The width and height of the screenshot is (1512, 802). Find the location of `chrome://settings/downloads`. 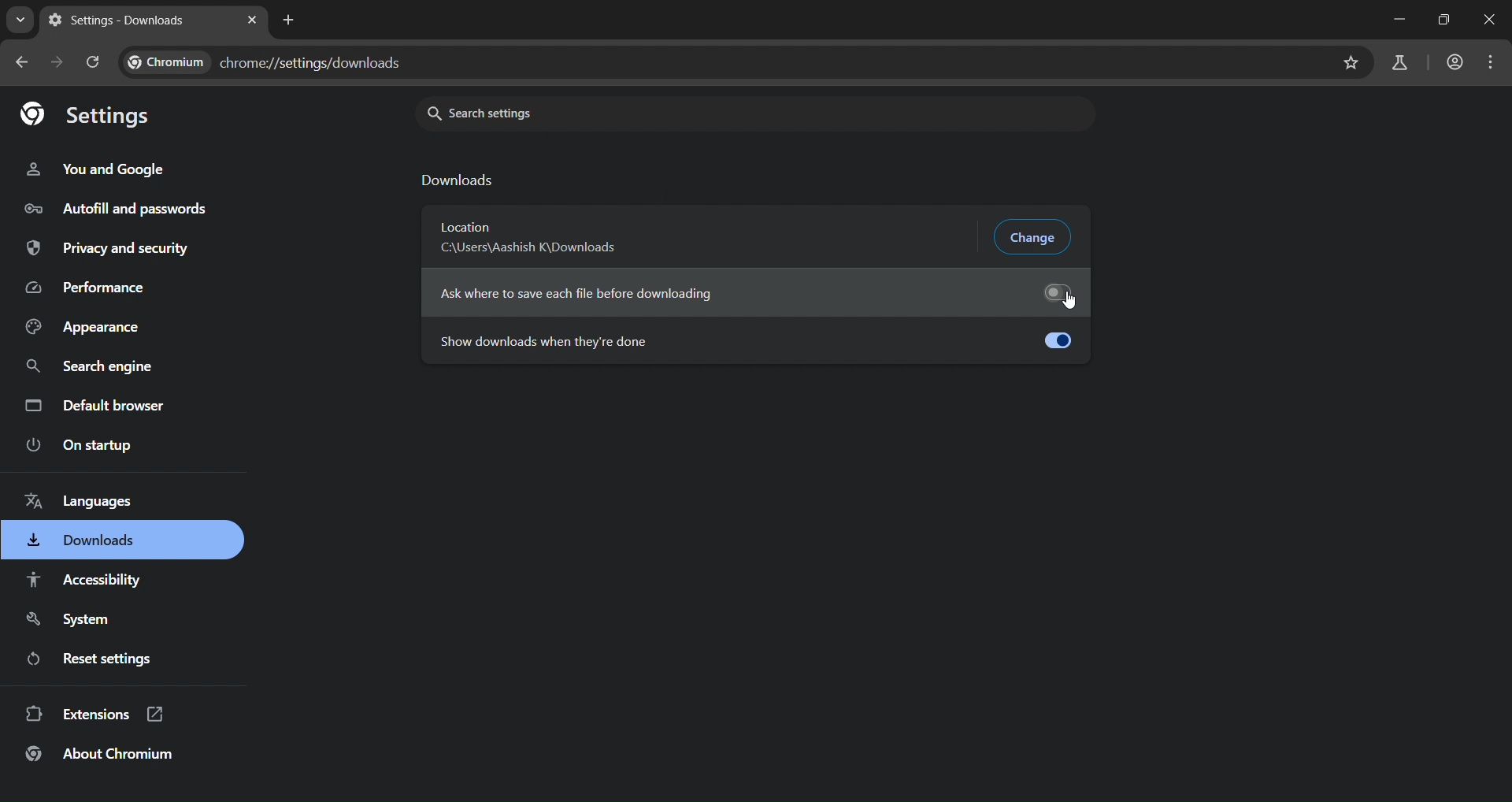

chrome://settings/downloads is located at coordinates (268, 62).